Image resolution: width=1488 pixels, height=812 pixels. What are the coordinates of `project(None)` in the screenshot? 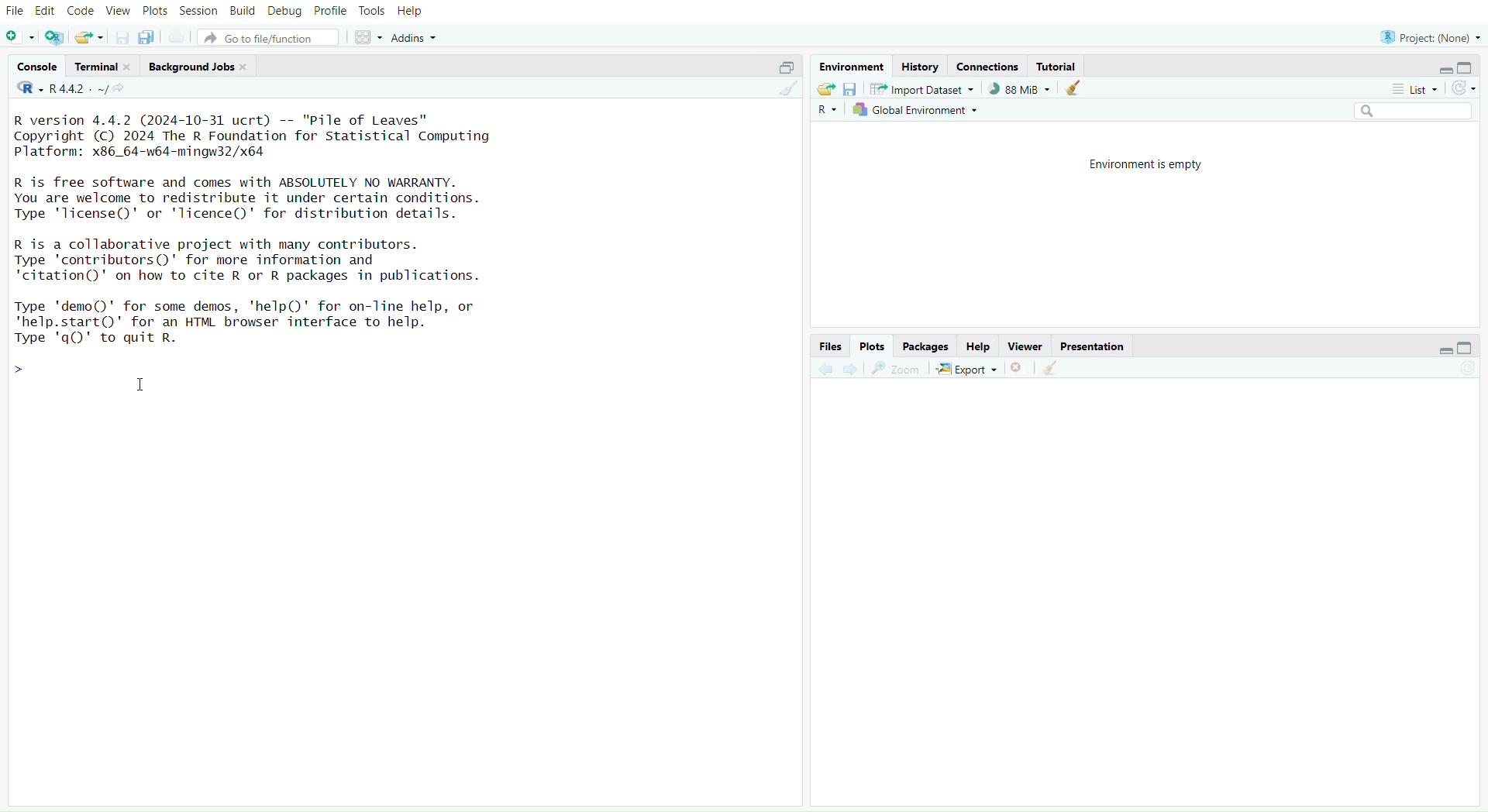 It's located at (1430, 36).